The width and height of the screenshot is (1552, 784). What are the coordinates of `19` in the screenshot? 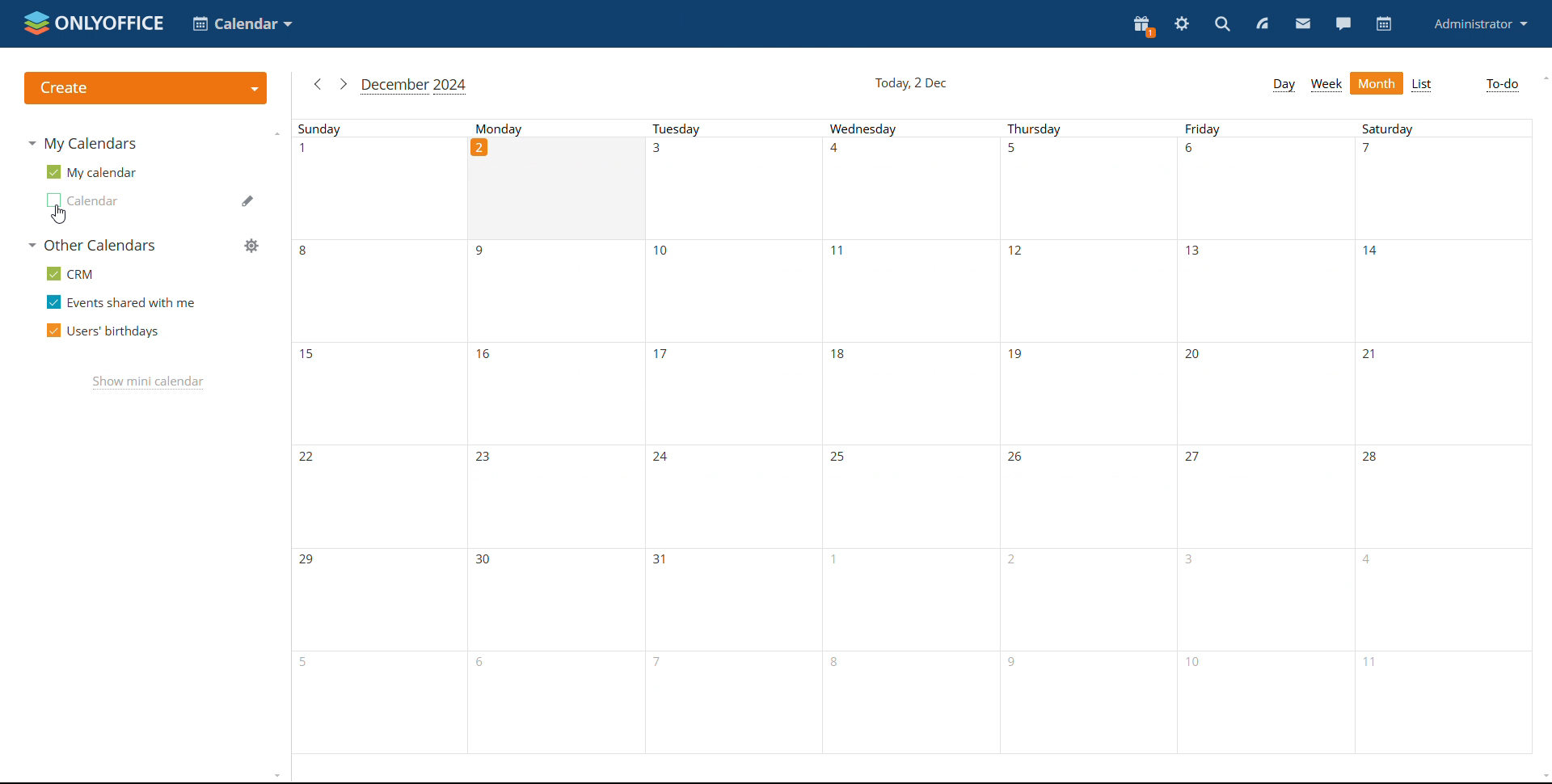 It's located at (1089, 398).